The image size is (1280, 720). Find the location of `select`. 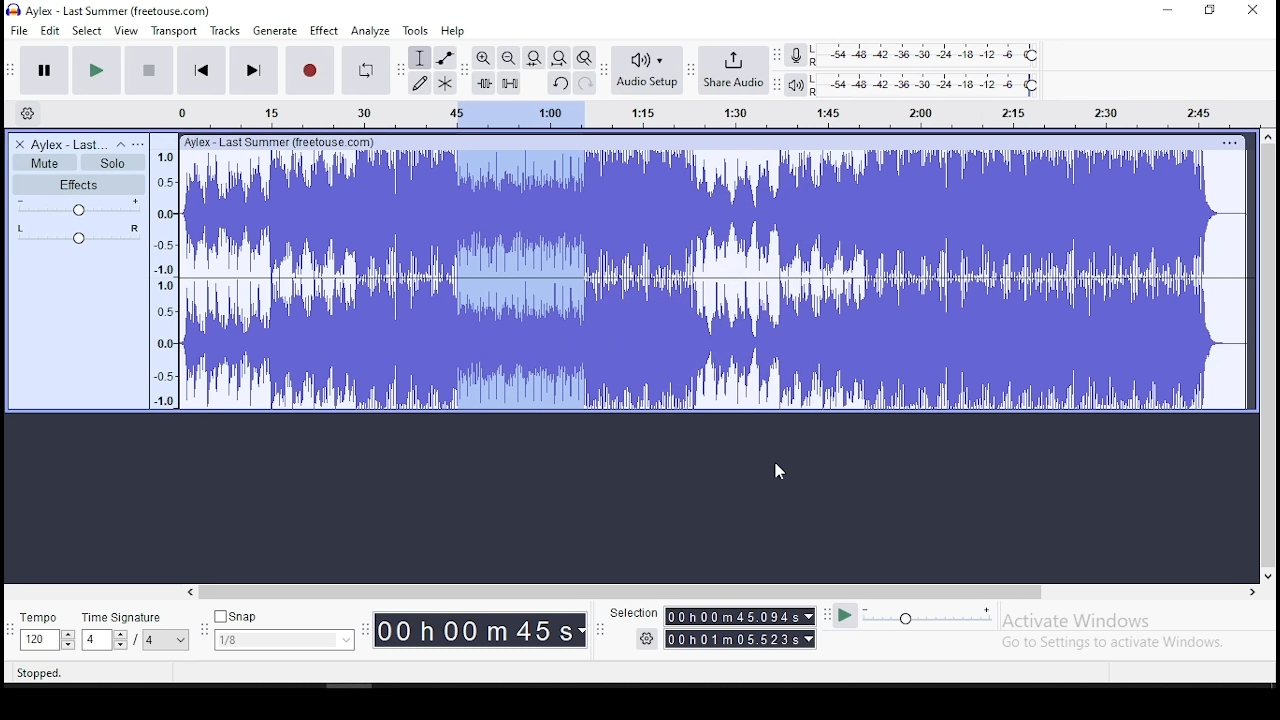

select is located at coordinates (88, 31).